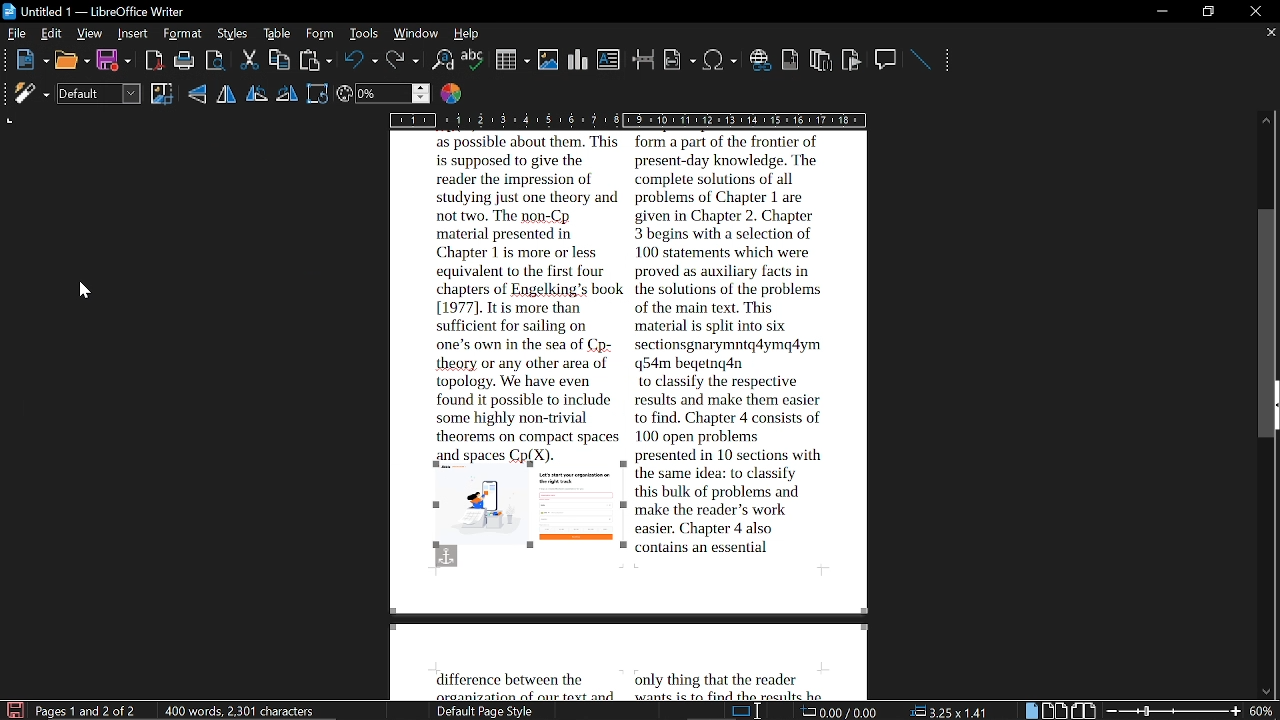 The image size is (1280, 720). I want to click on style, so click(234, 33).